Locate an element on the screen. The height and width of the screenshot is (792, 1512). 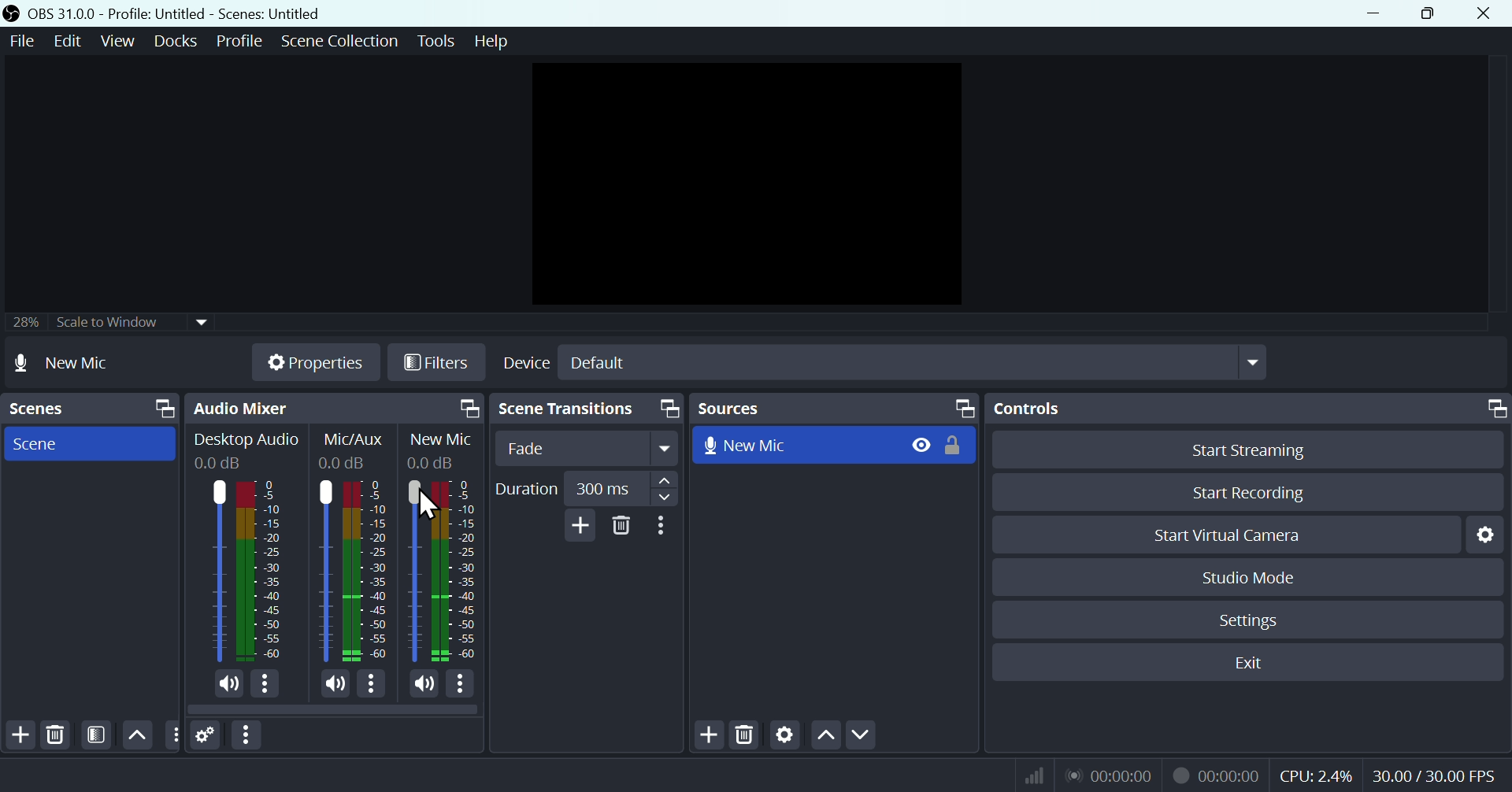
Hide/Display is located at coordinates (920, 444).